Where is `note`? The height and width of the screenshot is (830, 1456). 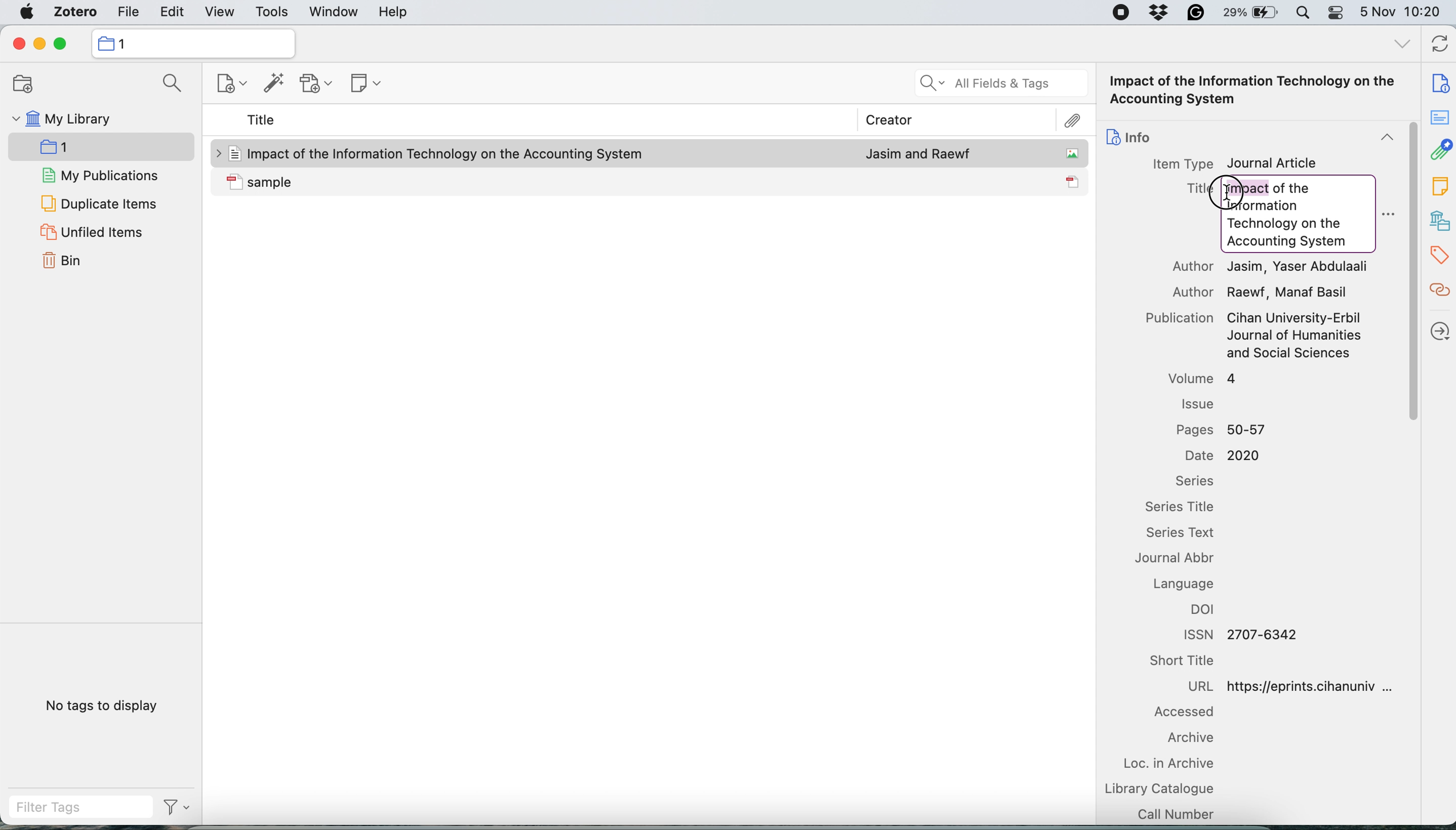 note is located at coordinates (1439, 186).